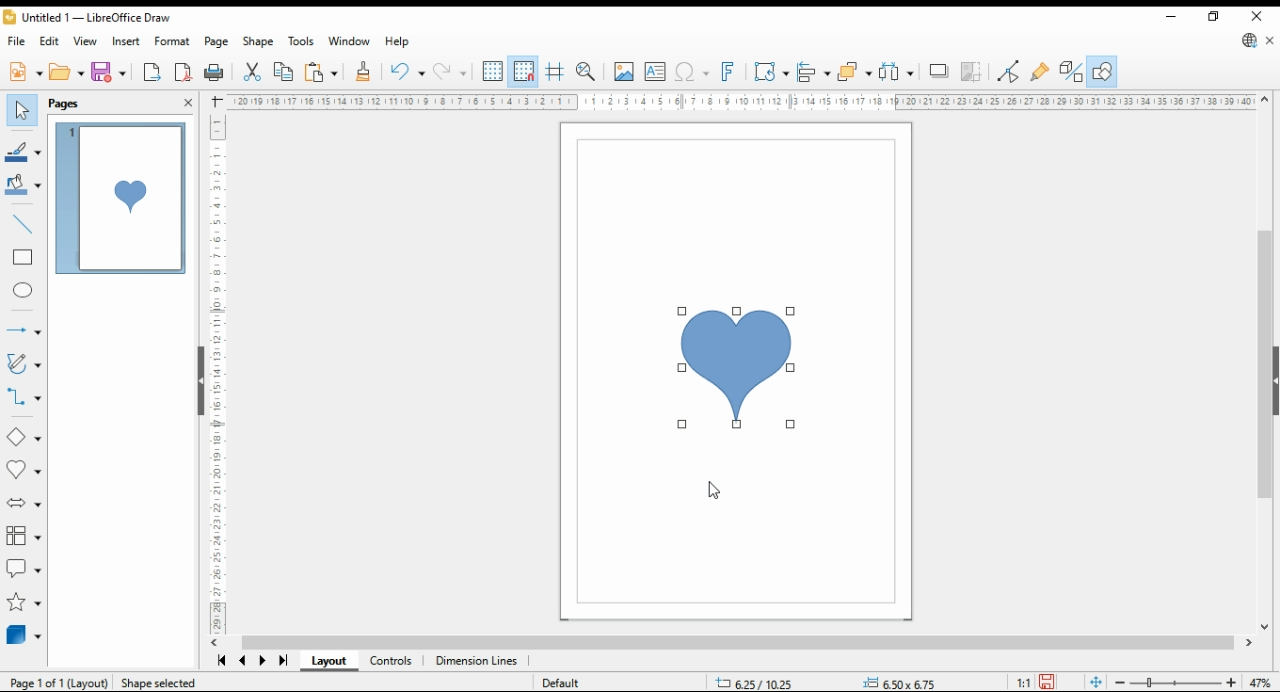 The width and height of the screenshot is (1280, 692). What do you see at coordinates (23, 327) in the screenshot?
I see `lines and arrows` at bounding box center [23, 327].